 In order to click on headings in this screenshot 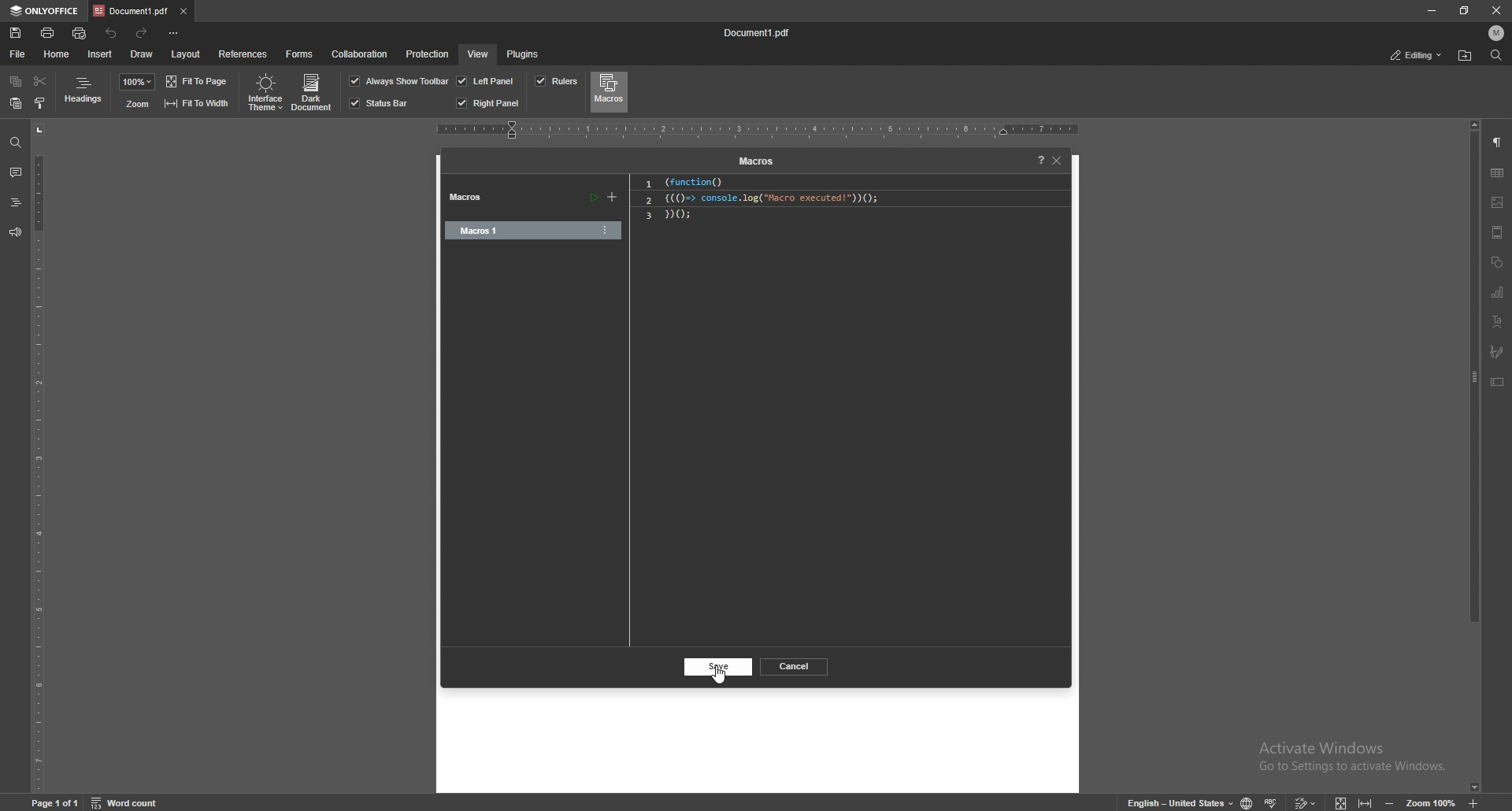, I will do `click(15, 202)`.